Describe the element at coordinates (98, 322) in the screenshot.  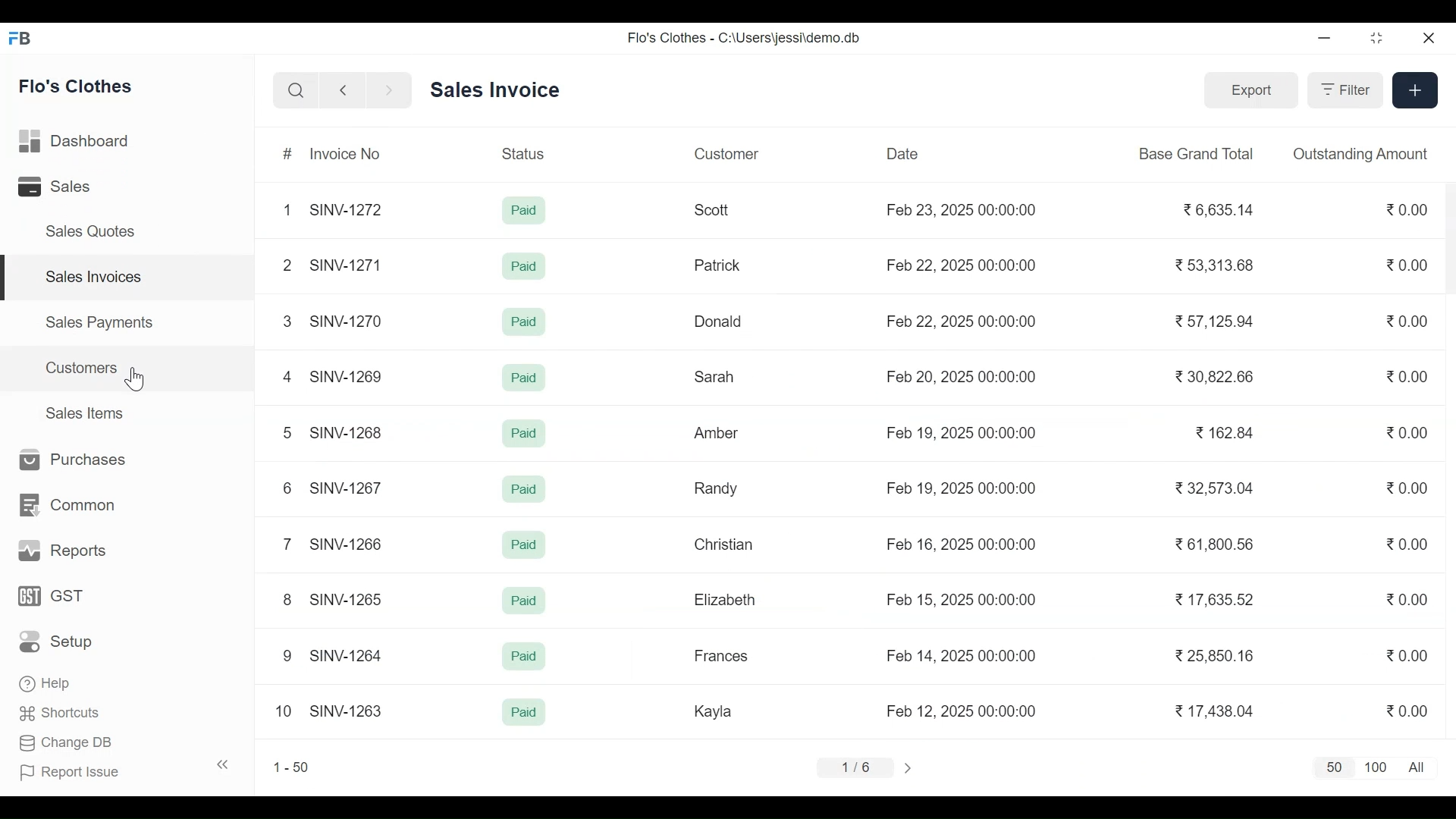
I see `Sales Payments` at that location.